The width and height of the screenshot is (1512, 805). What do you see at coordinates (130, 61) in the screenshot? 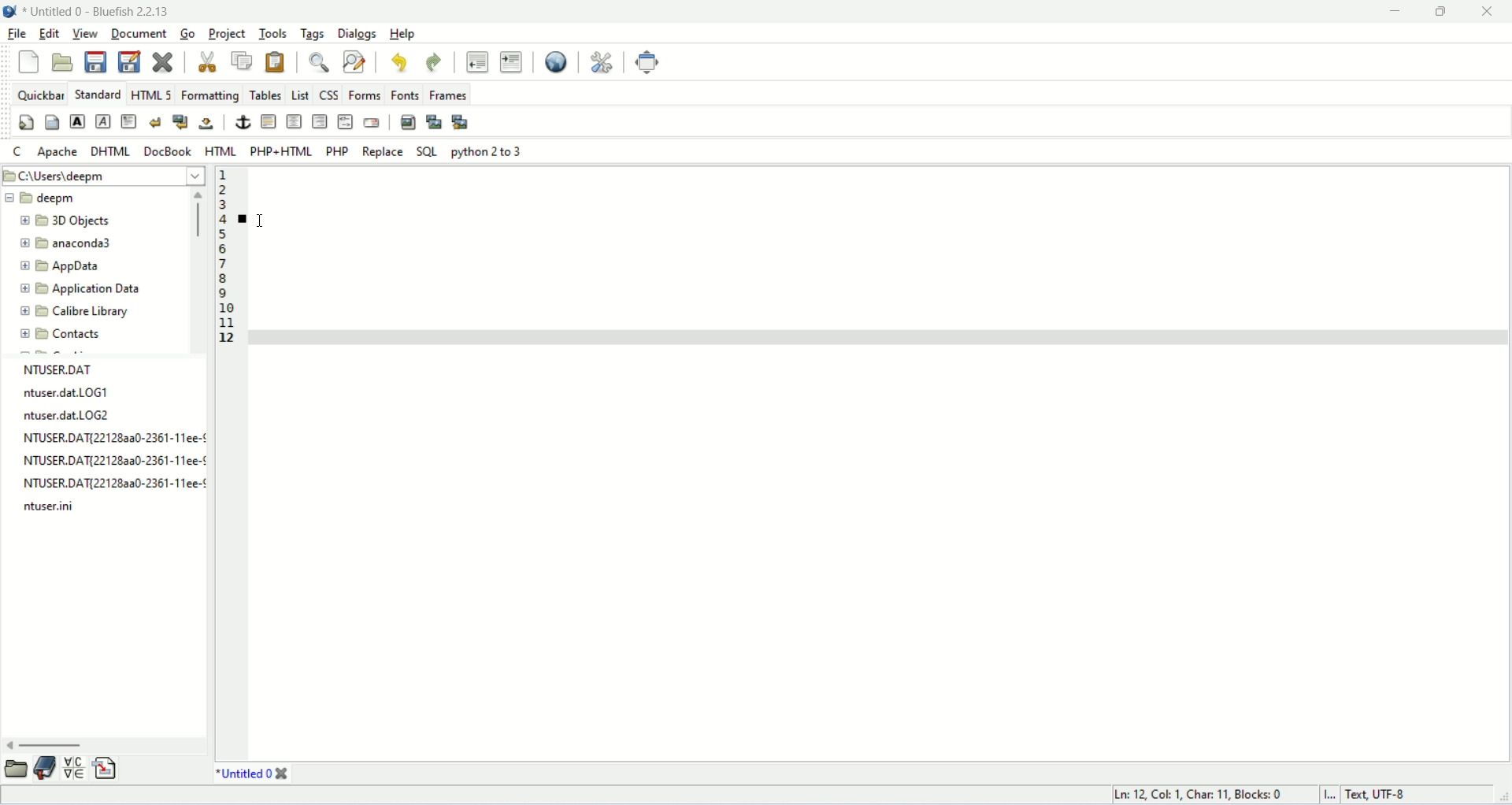
I see `save as` at bounding box center [130, 61].